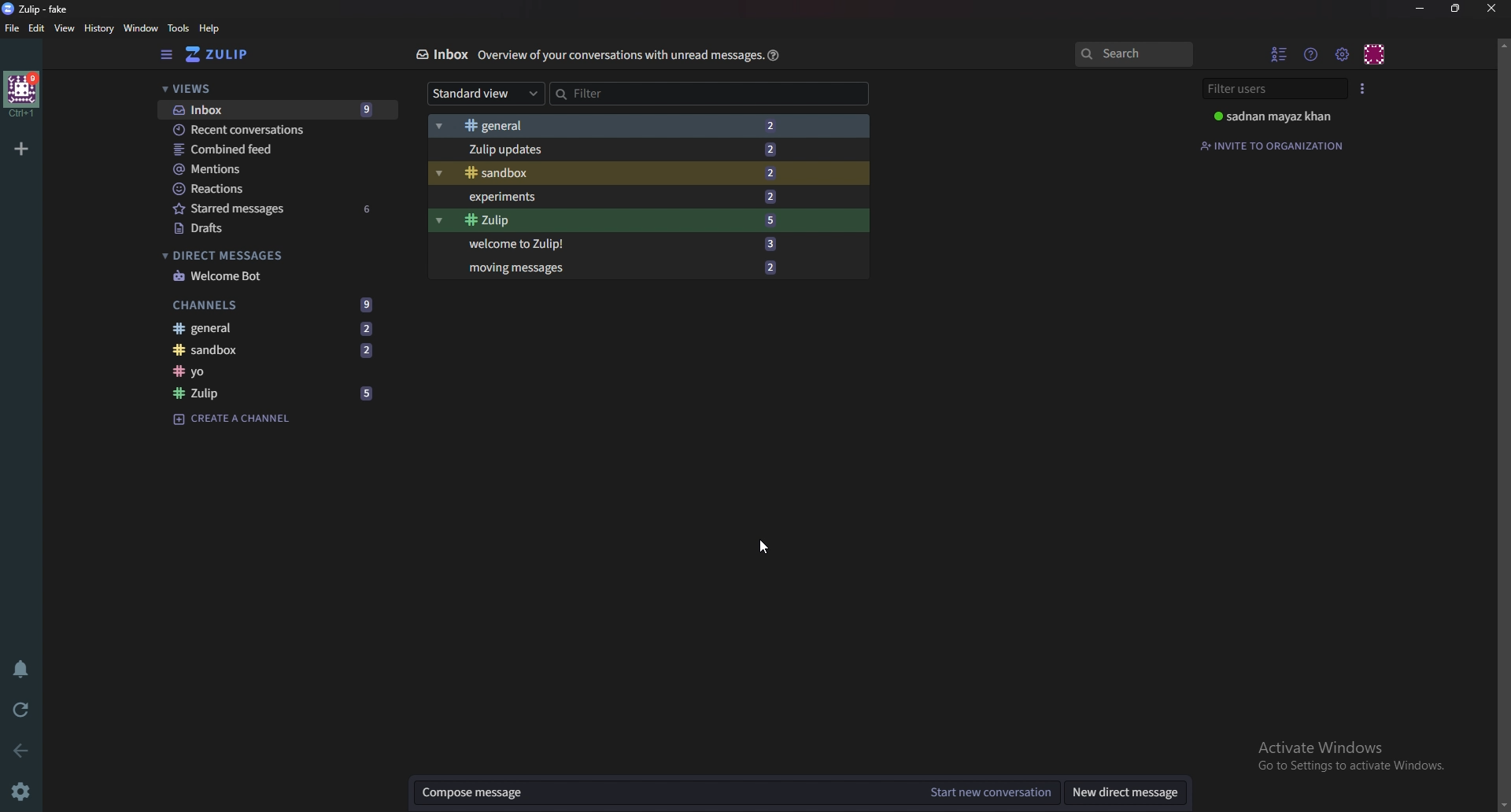 Image resolution: width=1511 pixels, height=812 pixels. What do you see at coordinates (179, 28) in the screenshot?
I see `Tools` at bounding box center [179, 28].